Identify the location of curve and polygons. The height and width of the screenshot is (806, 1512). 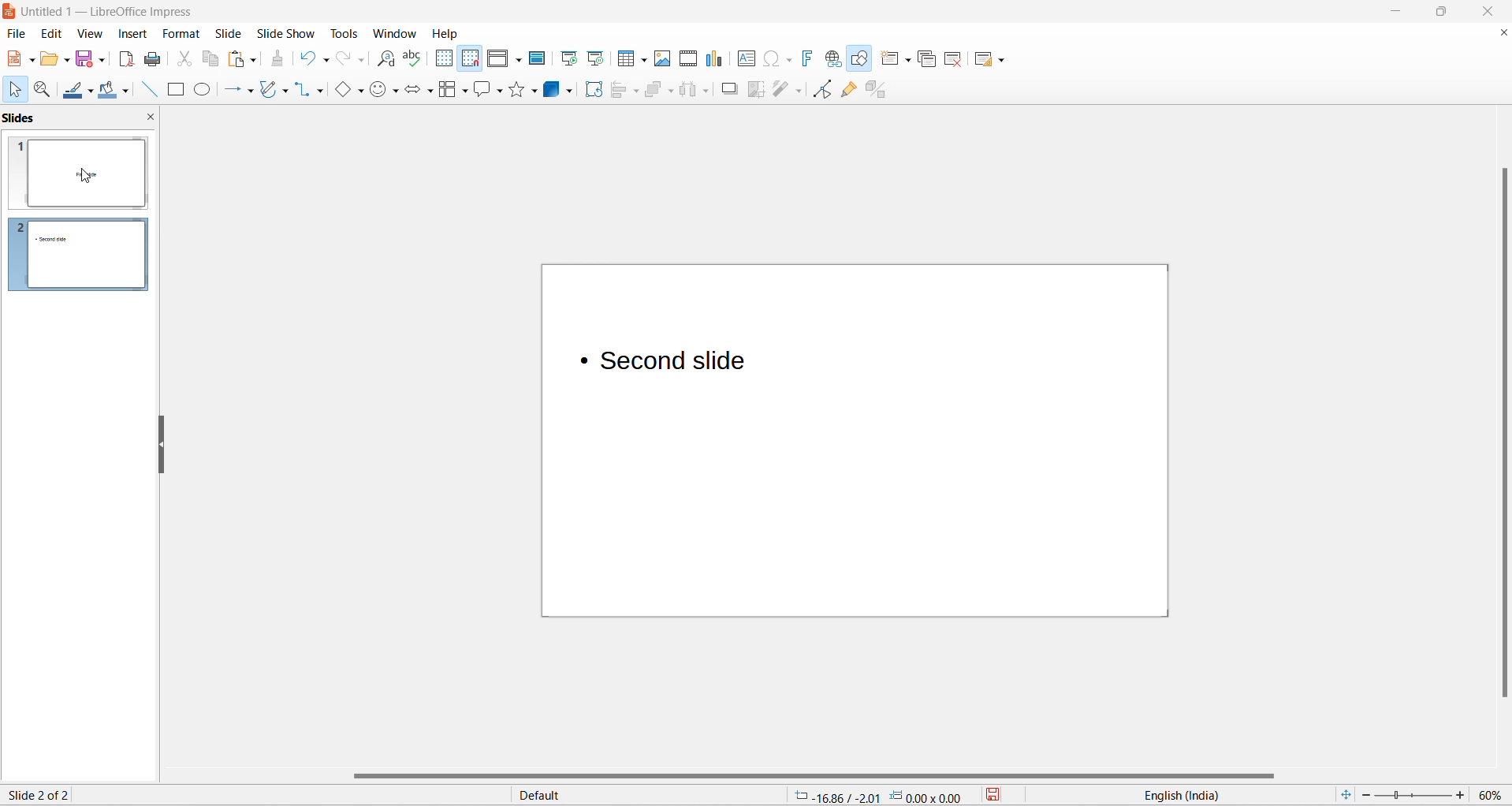
(269, 91).